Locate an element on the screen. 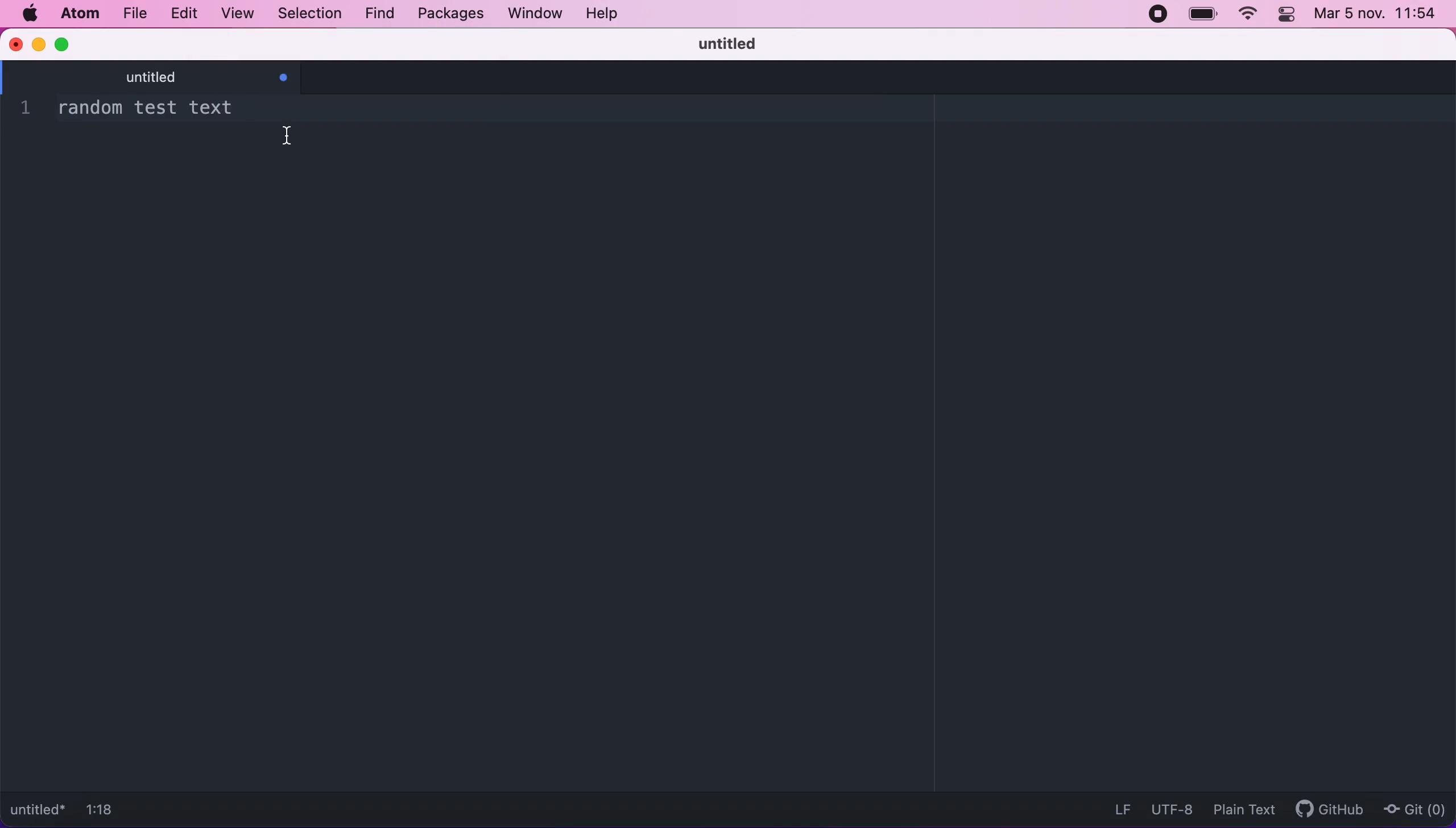 The image size is (1456, 828). 1 random test text is located at coordinates (116, 109).